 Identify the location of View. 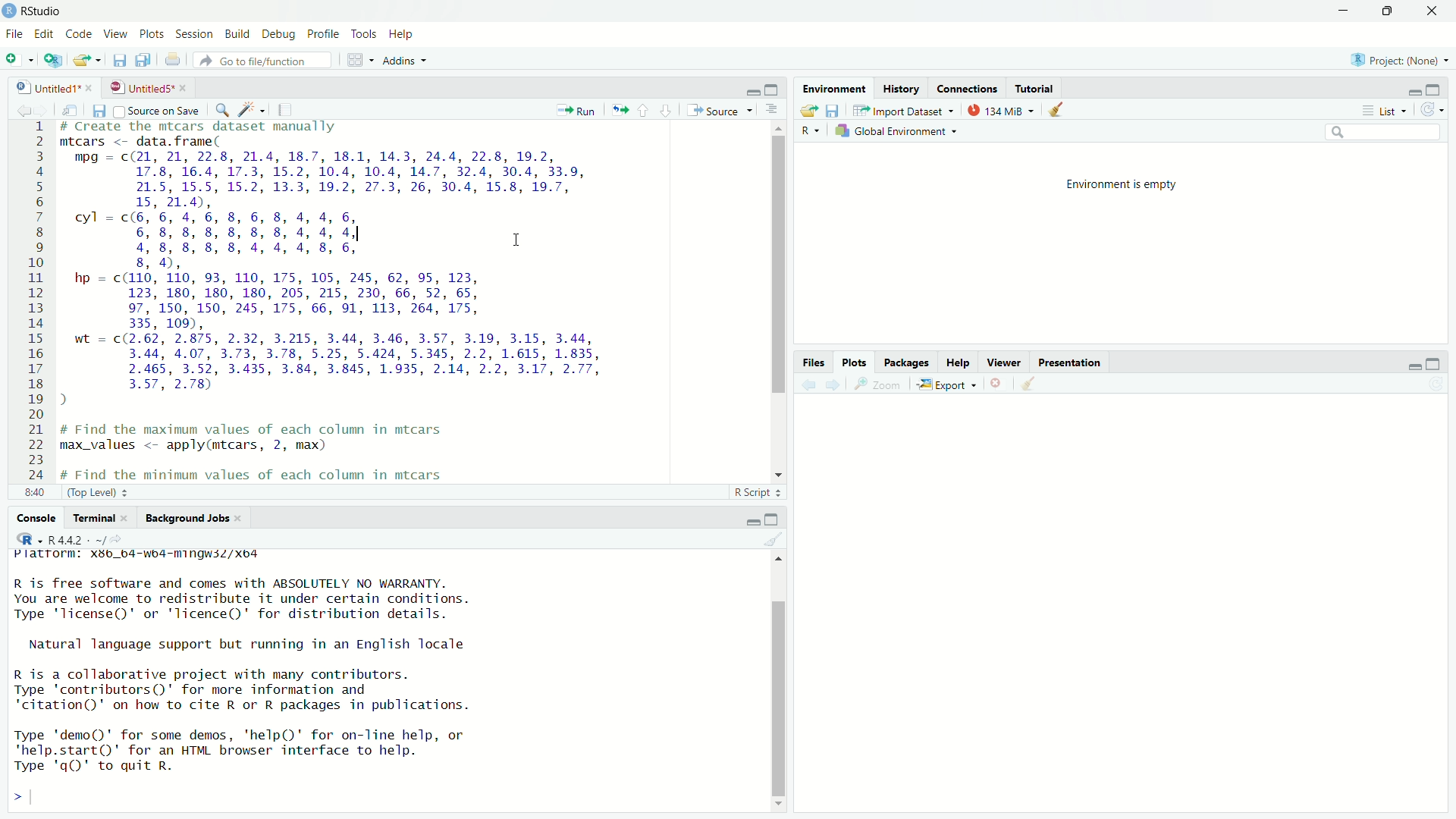
(118, 33).